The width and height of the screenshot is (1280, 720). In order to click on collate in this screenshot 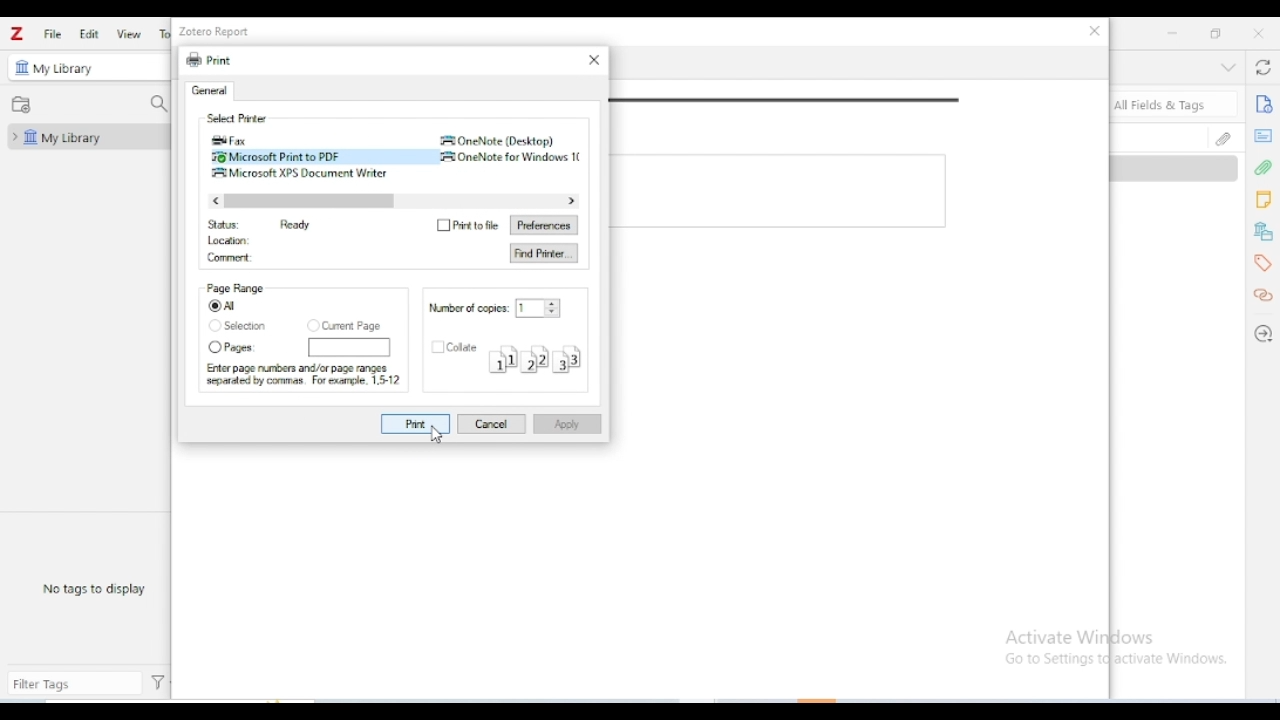, I will do `click(462, 348)`.